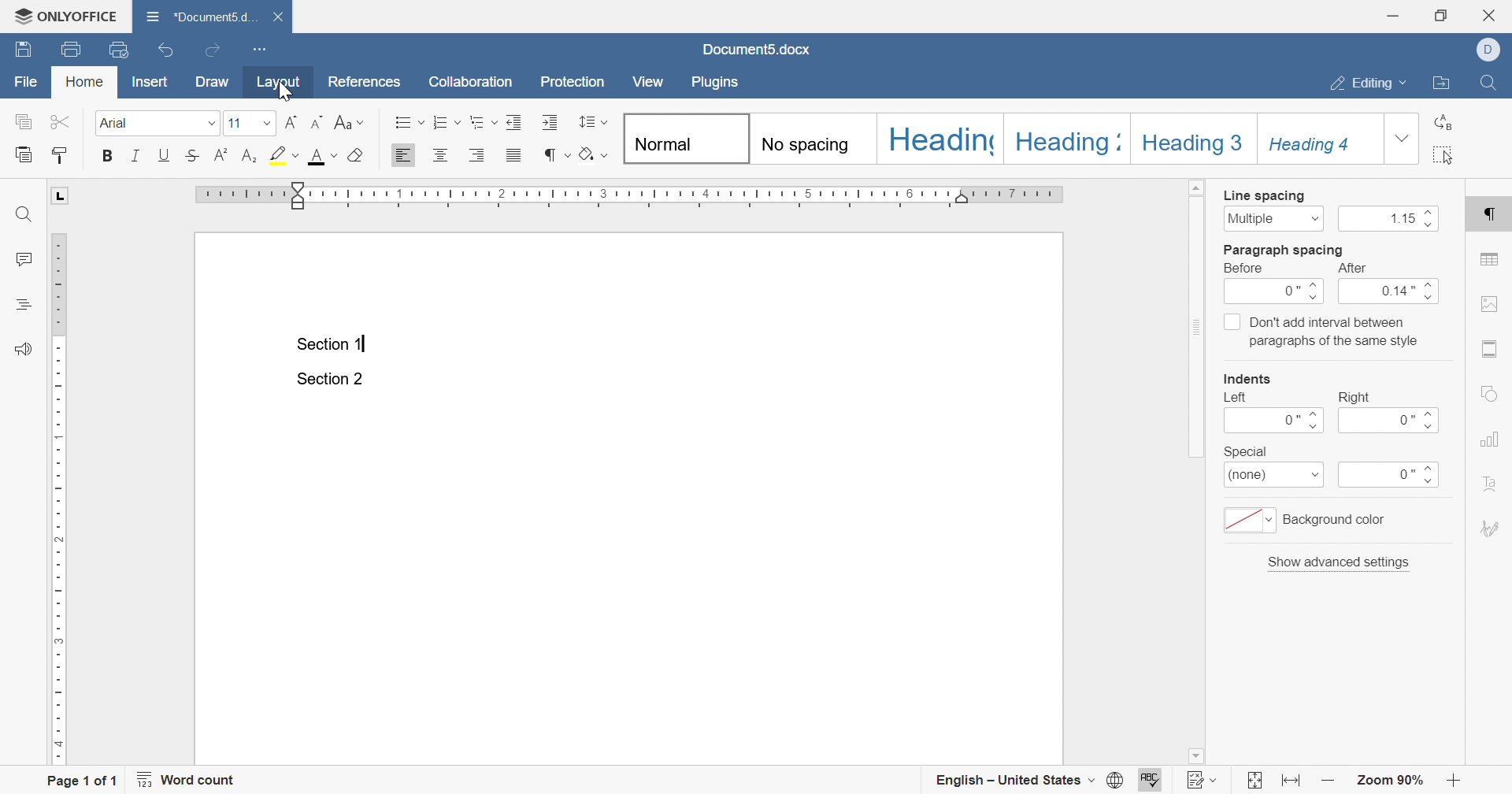 This screenshot has width=1512, height=794. What do you see at coordinates (1368, 86) in the screenshot?
I see `editing` at bounding box center [1368, 86].